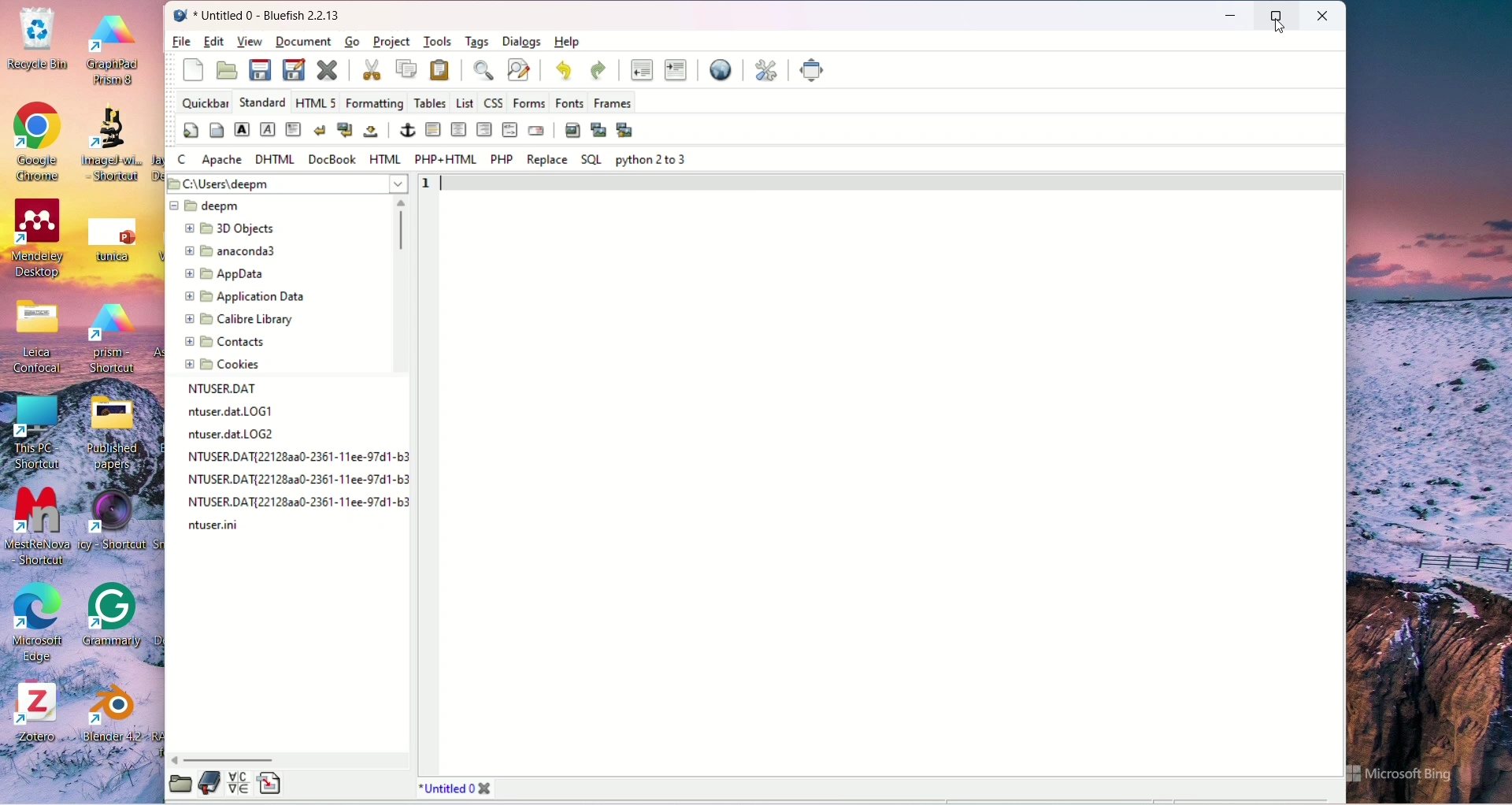 The image size is (1512, 805). I want to click on python 2 to 3, so click(653, 161).